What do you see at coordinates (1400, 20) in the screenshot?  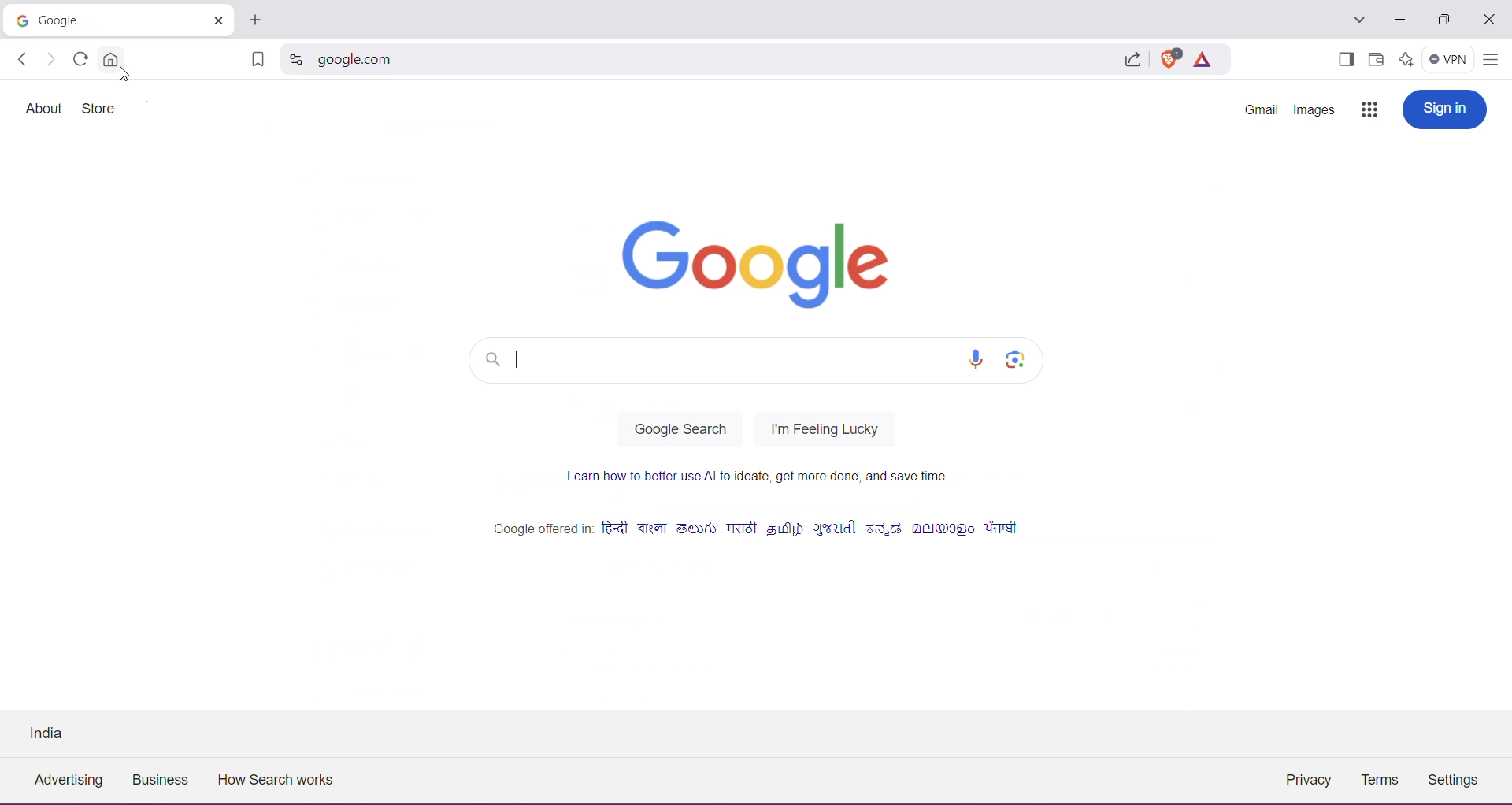 I see `Minimize` at bounding box center [1400, 20].